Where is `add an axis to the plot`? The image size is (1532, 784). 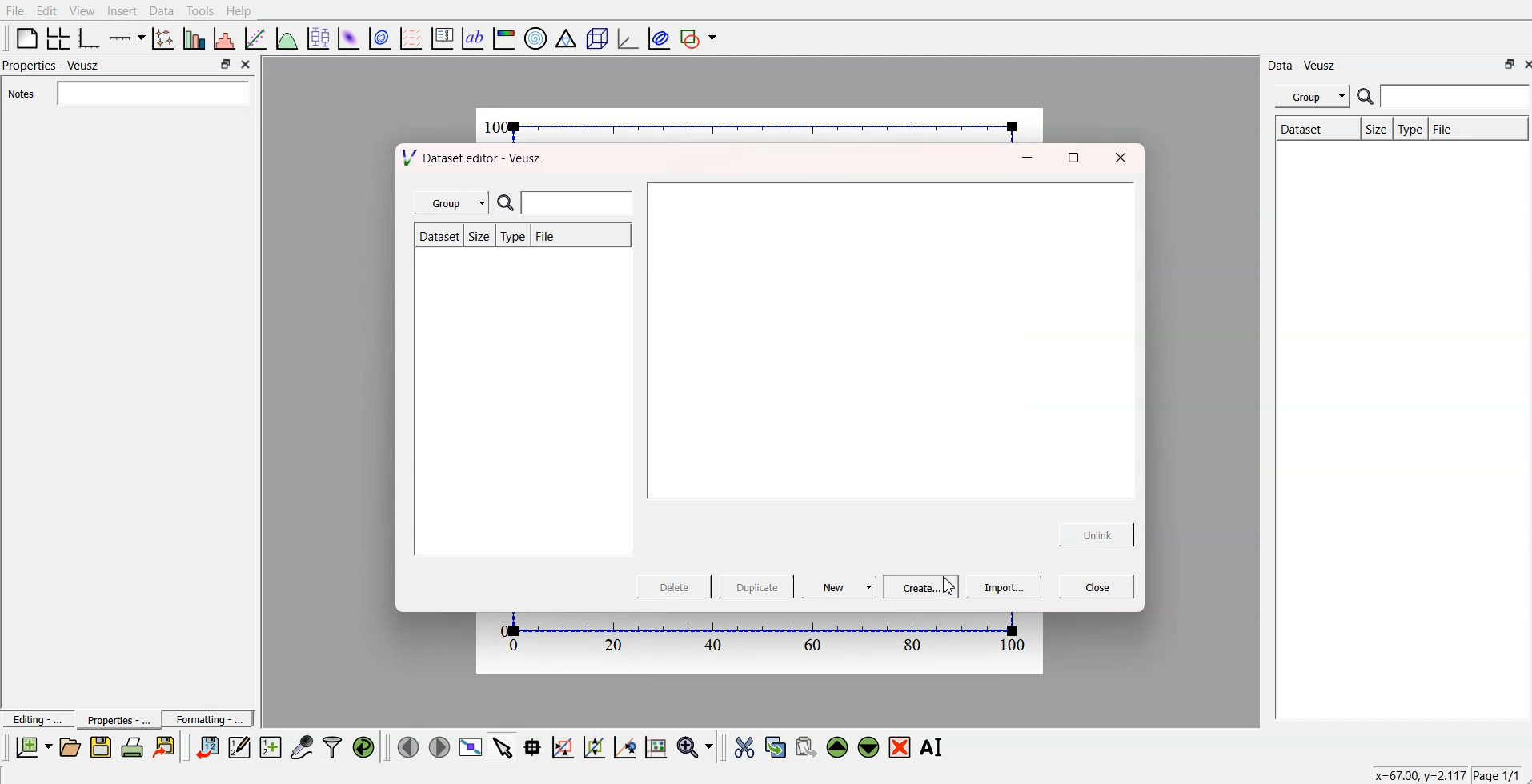 add an axis to the plot is located at coordinates (127, 37).